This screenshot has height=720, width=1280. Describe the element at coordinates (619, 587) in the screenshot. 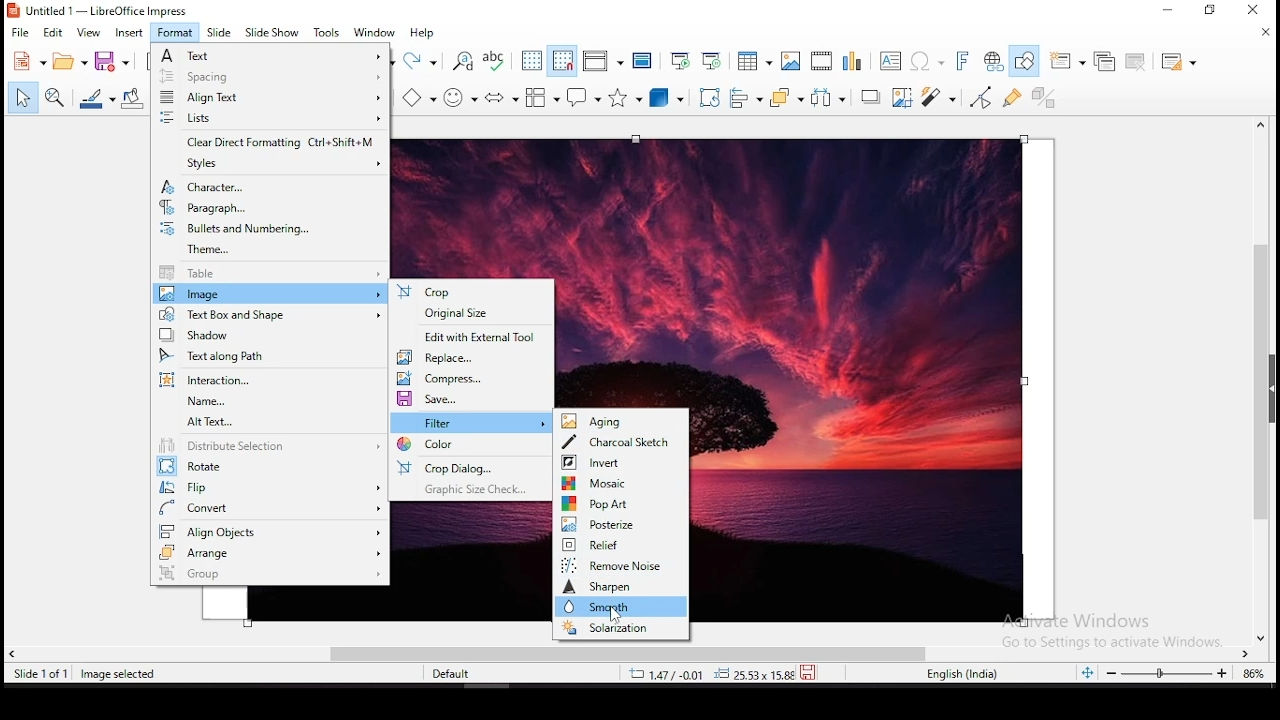

I see `sharpen` at that location.